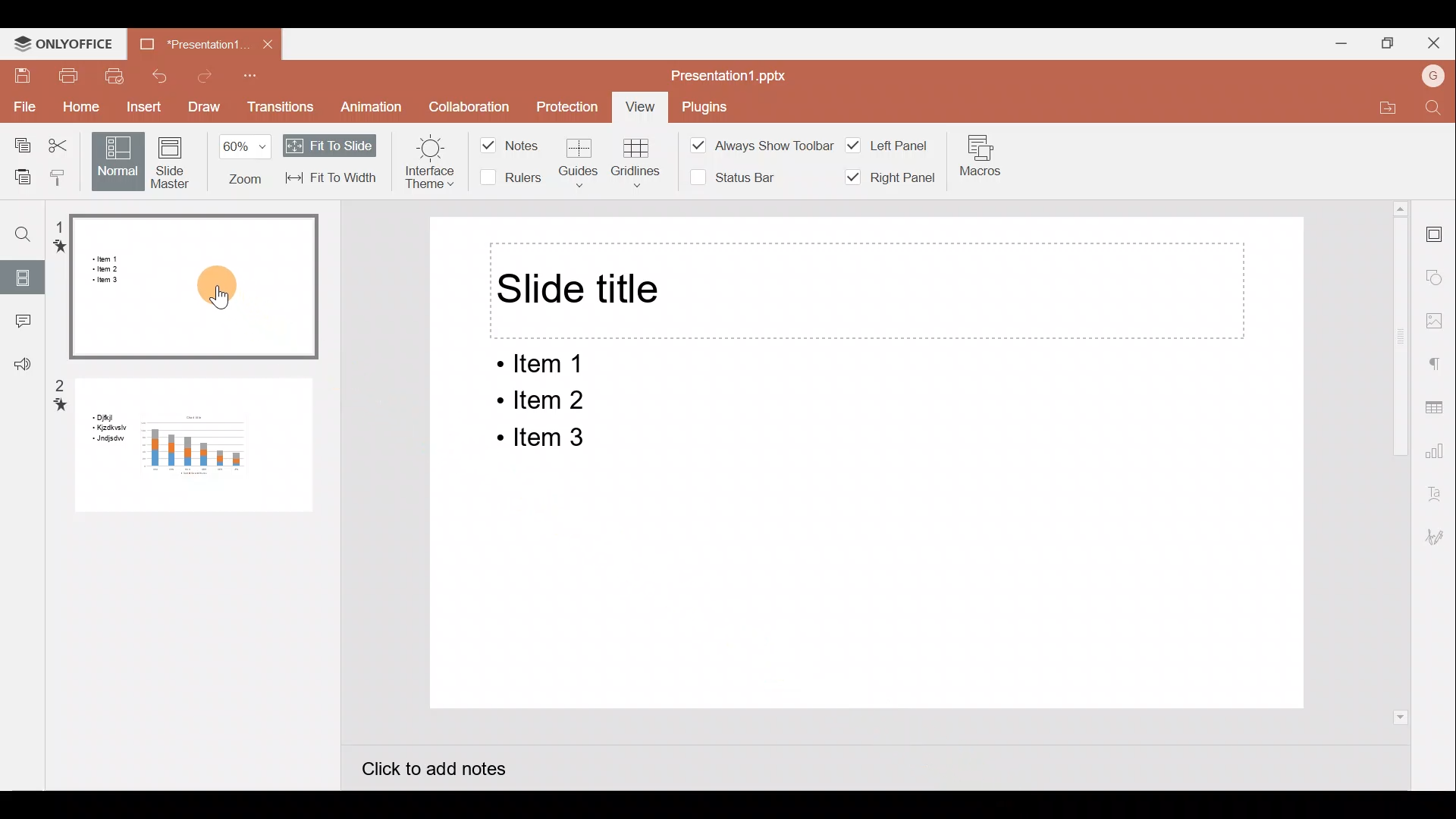  What do you see at coordinates (59, 74) in the screenshot?
I see `Print file` at bounding box center [59, 74].